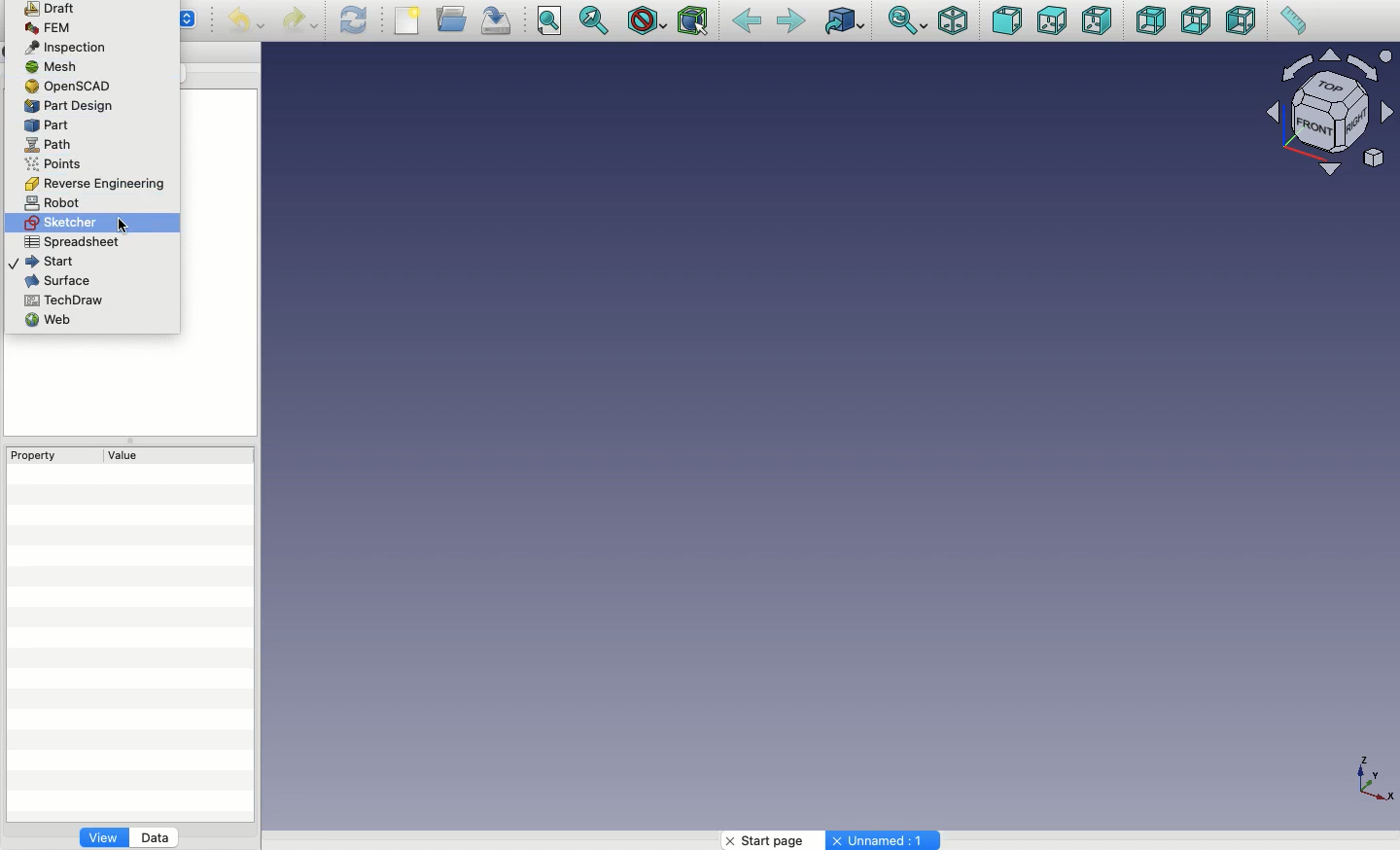 The width and height of the screenshot is (1400, 850). I want to click on FEM, so click(50, 29).